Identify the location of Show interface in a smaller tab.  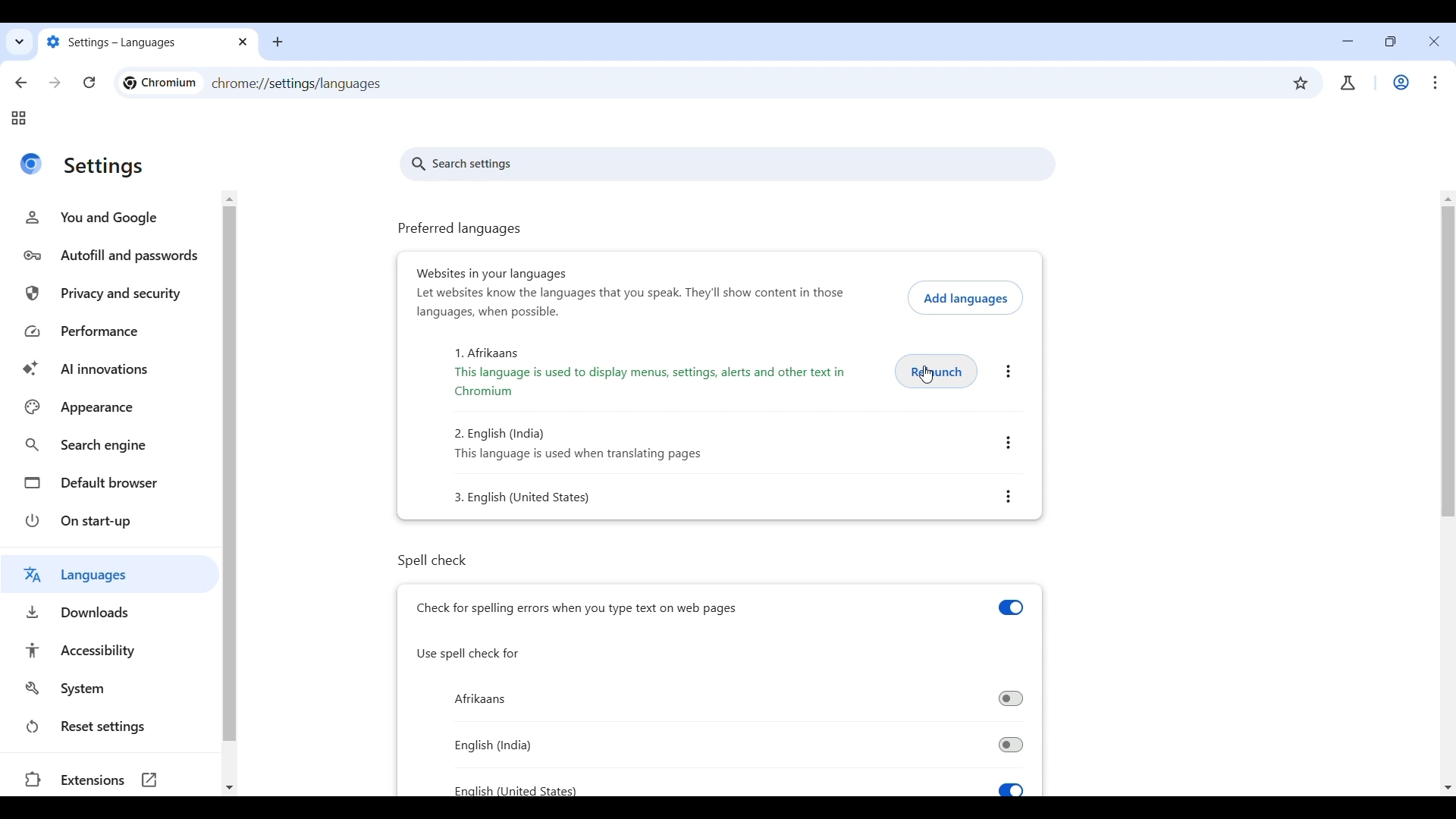
(1387, 44).